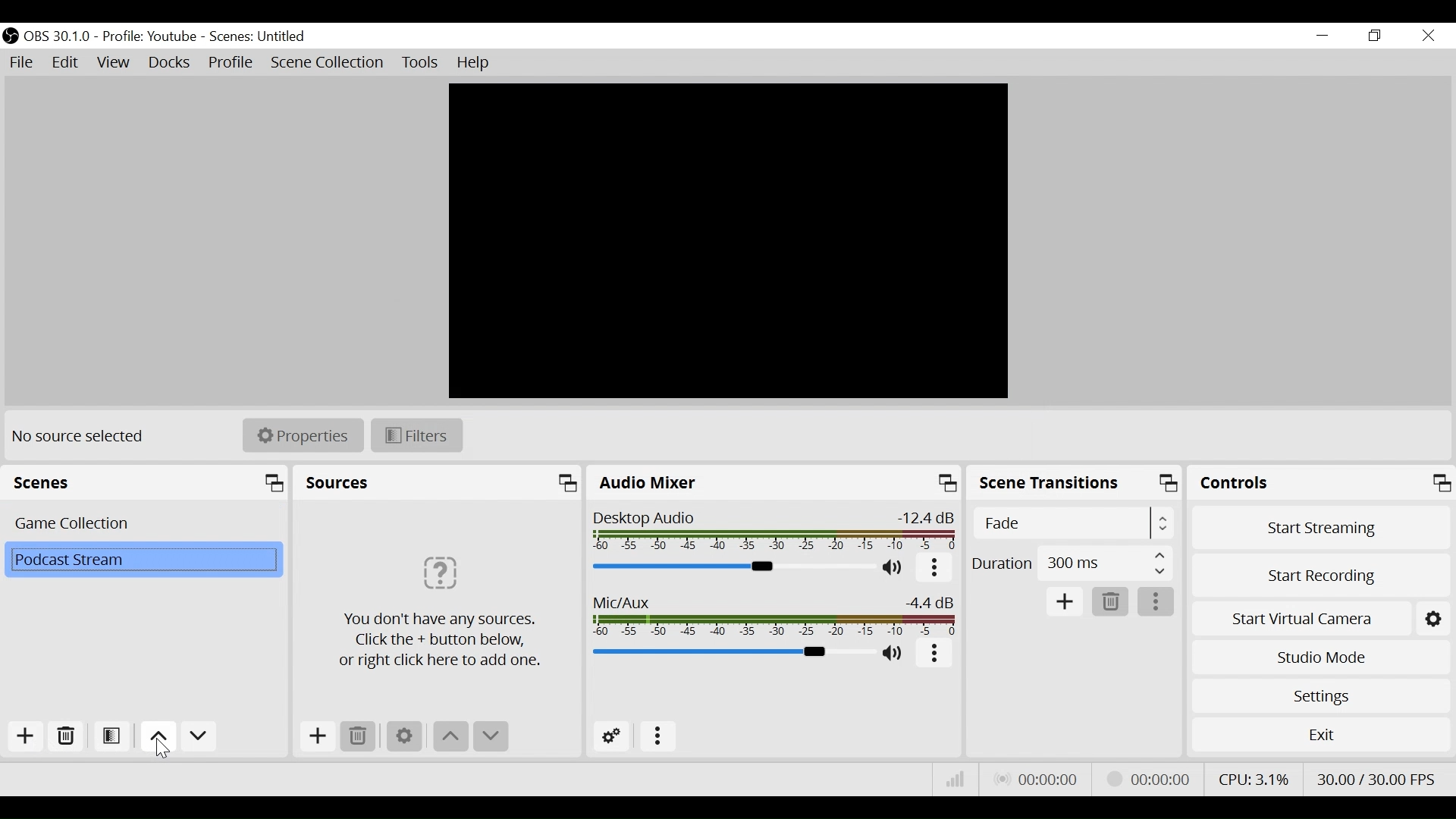 This screenshot has height=819, width=1456. What do you see at coordinates (147, 483) in the screenshot?
I see `Scenes panel` at bounding box center [147, 483].